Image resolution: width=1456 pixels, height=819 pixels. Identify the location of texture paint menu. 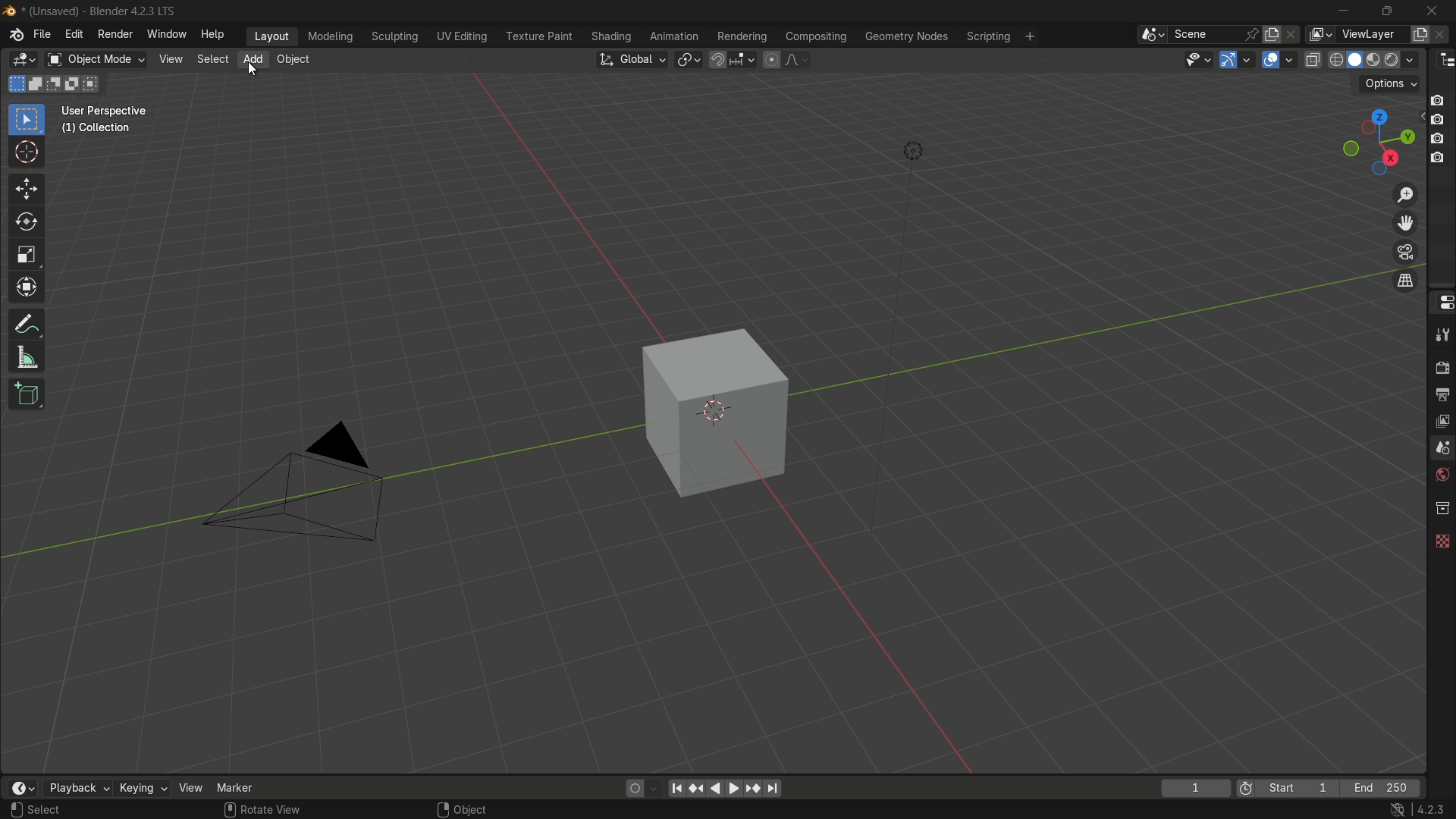
(540, 36).